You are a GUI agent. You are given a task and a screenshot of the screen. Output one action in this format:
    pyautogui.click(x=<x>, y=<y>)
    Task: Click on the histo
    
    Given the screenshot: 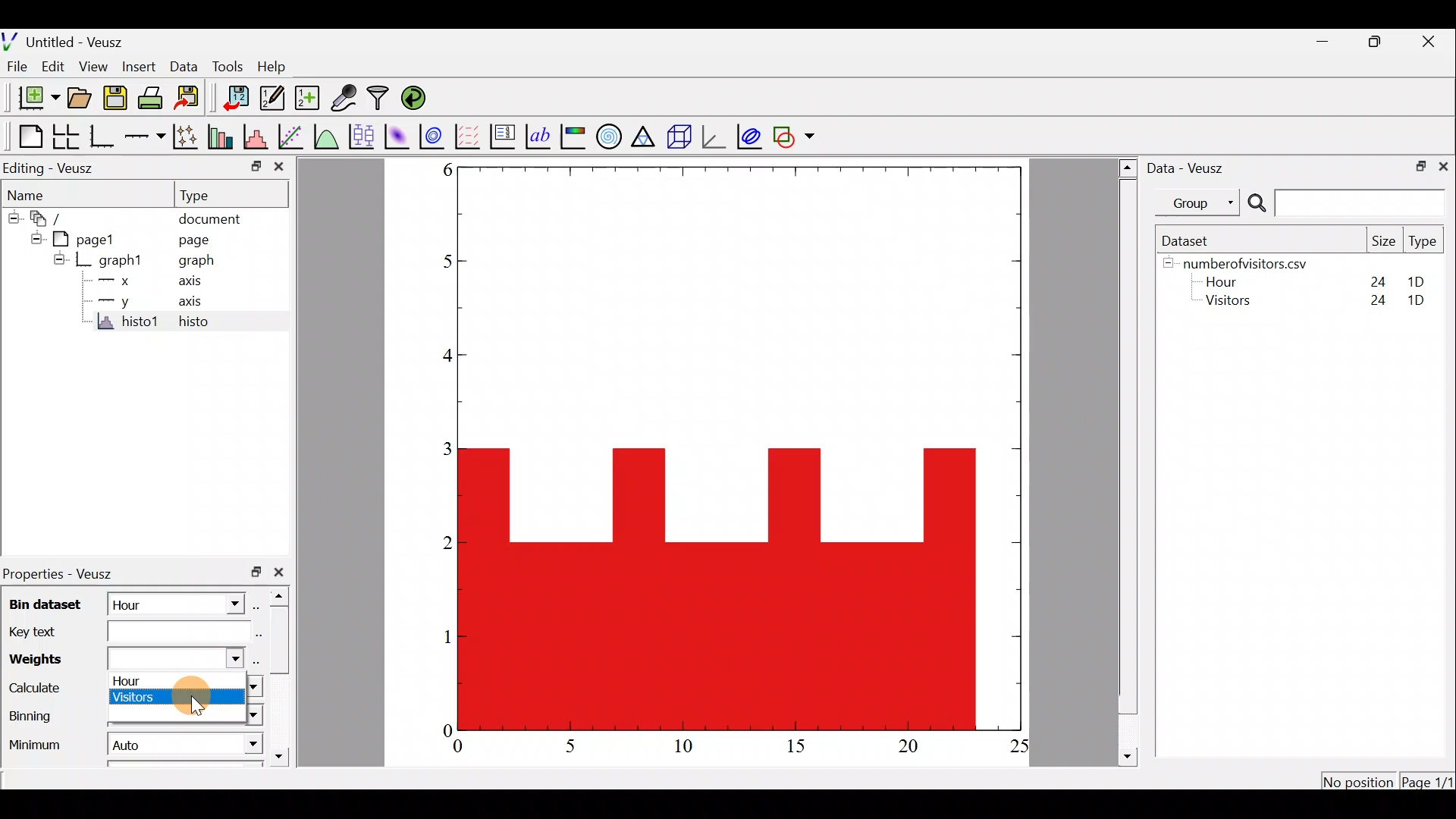 What is the action you would take?
    pyautogui.click(x=196, y=324)
    